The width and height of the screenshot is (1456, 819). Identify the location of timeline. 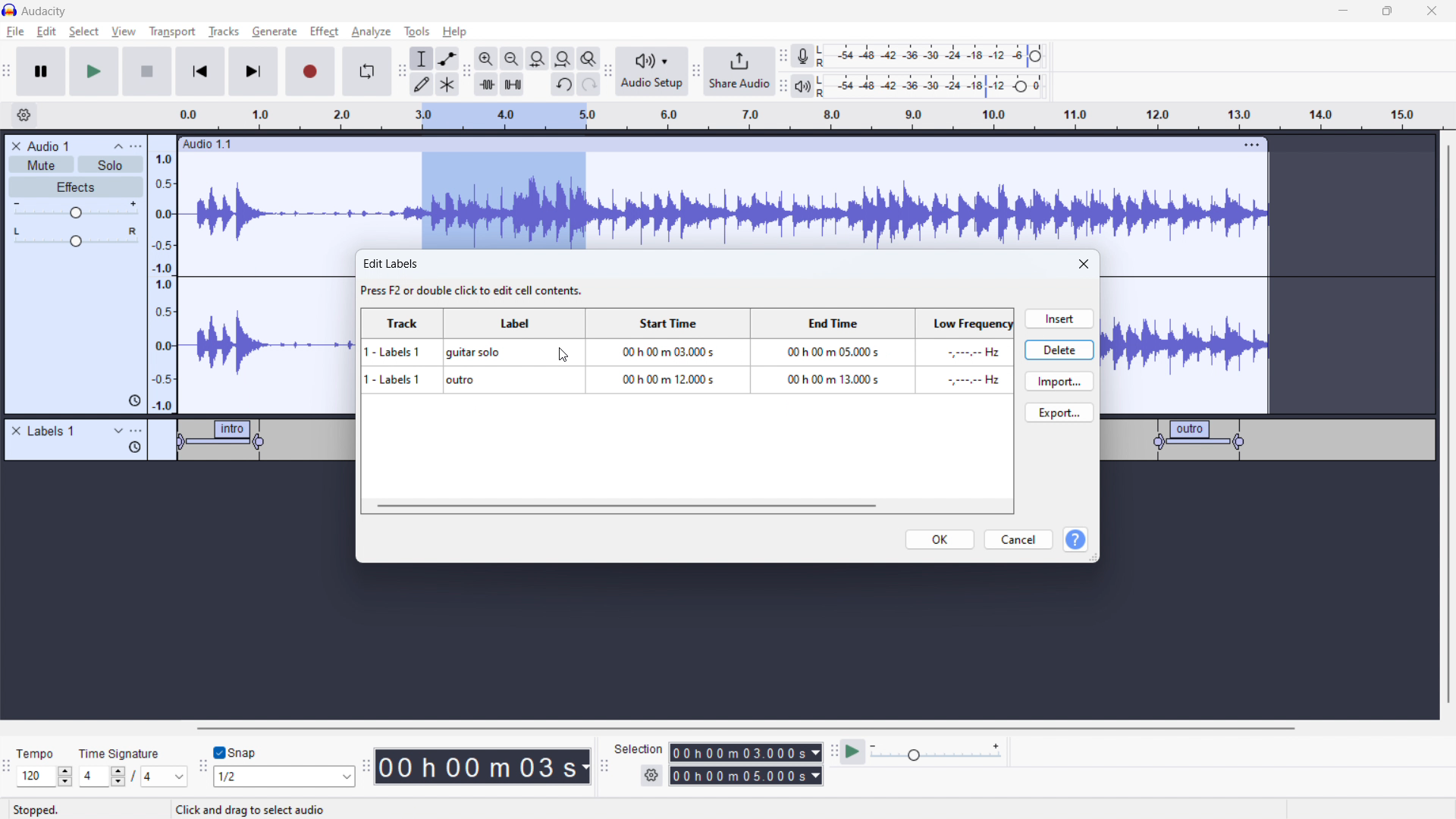
(724, 636).